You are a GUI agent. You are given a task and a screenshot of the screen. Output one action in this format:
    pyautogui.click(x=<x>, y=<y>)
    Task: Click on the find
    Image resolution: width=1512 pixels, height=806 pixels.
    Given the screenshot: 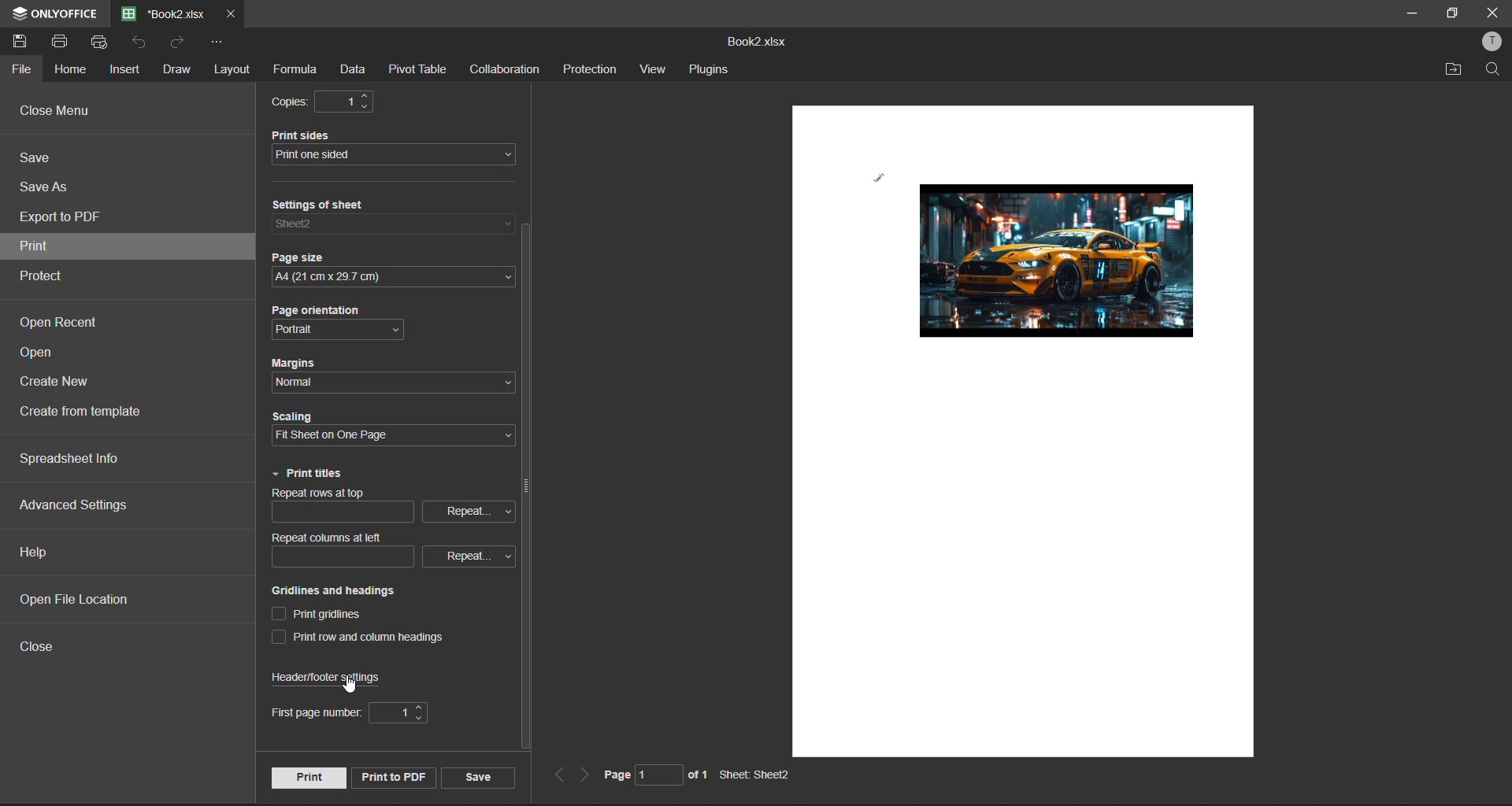 What is the action you would take?
    pyautogui.click(x=1496, y=70)
    